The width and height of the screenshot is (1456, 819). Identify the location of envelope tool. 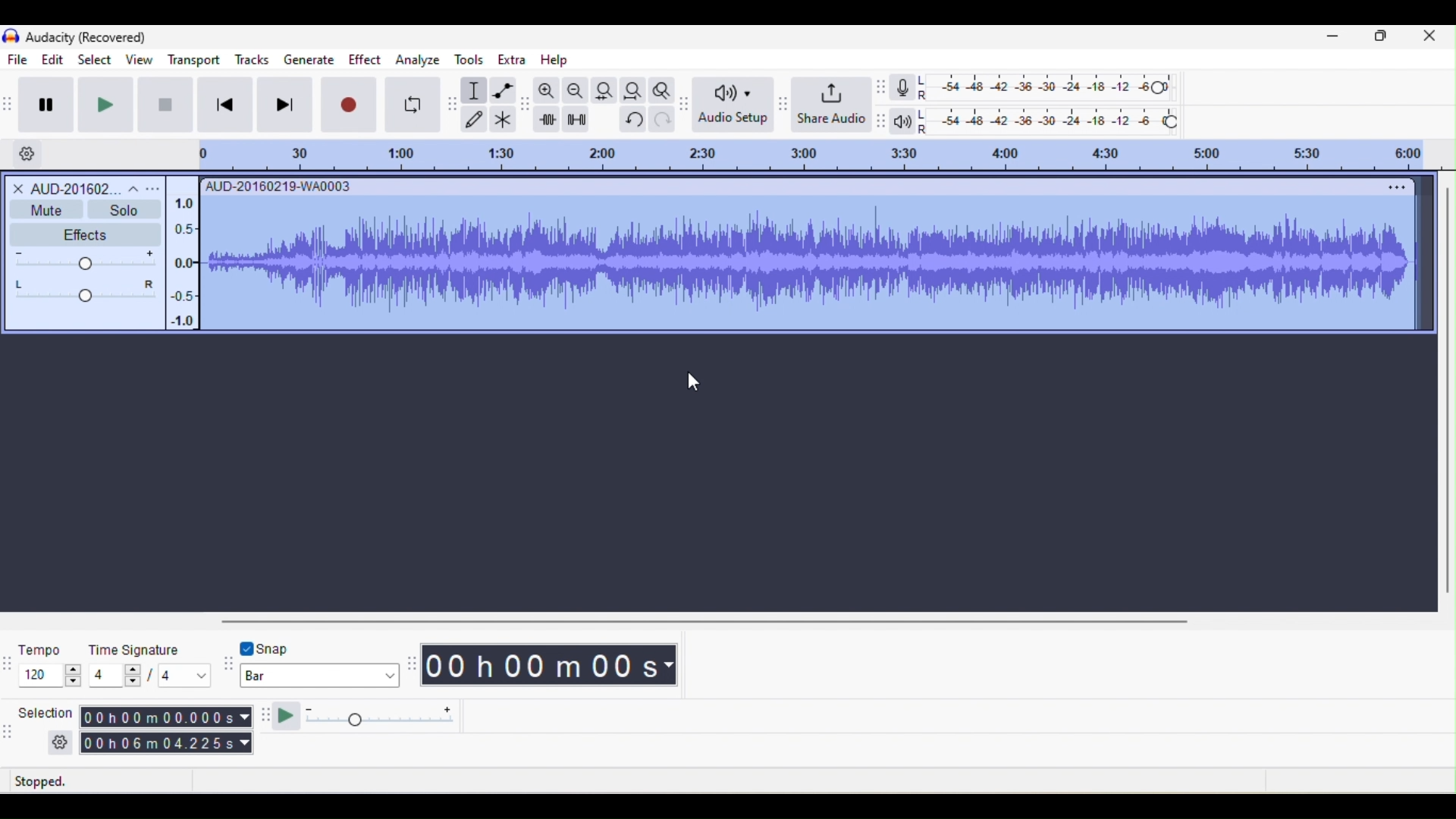
(504, 90).